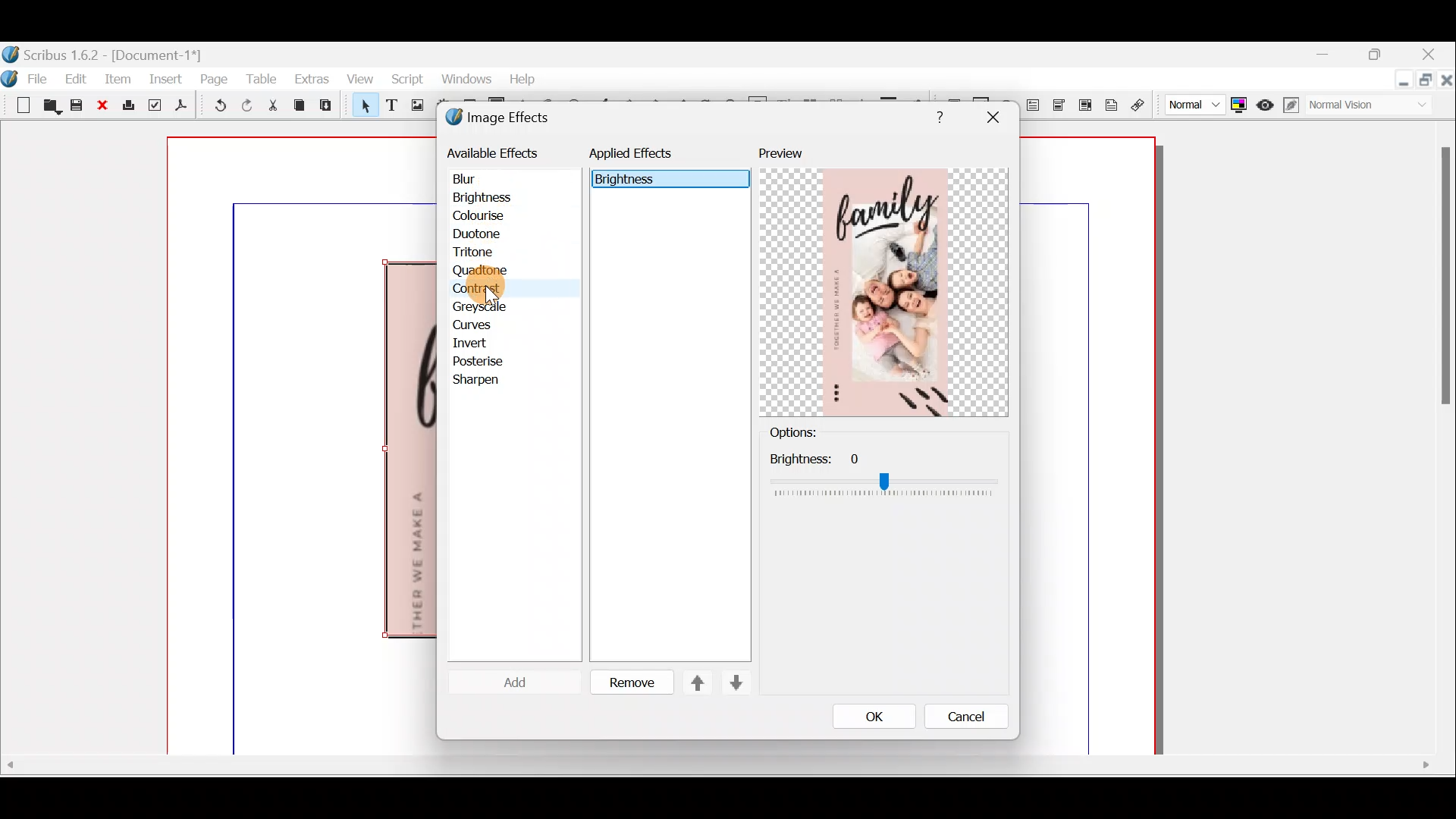  Describe the element at coordinates (217, 108) in the screenshot. I see `Undo` at that location.